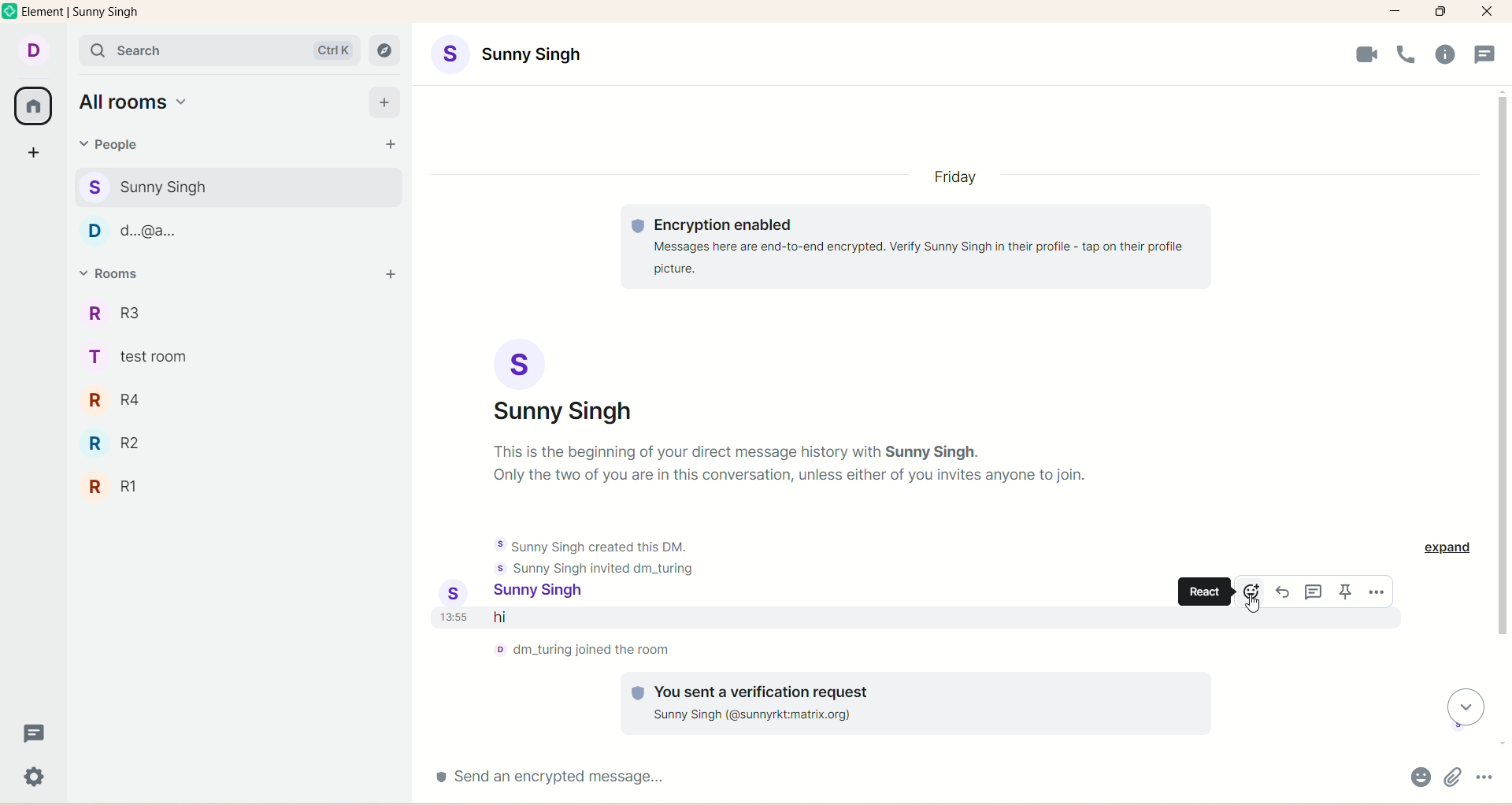 This screenshot has height=805, width=1512. I want to click on voice call, so click(1406, 54).